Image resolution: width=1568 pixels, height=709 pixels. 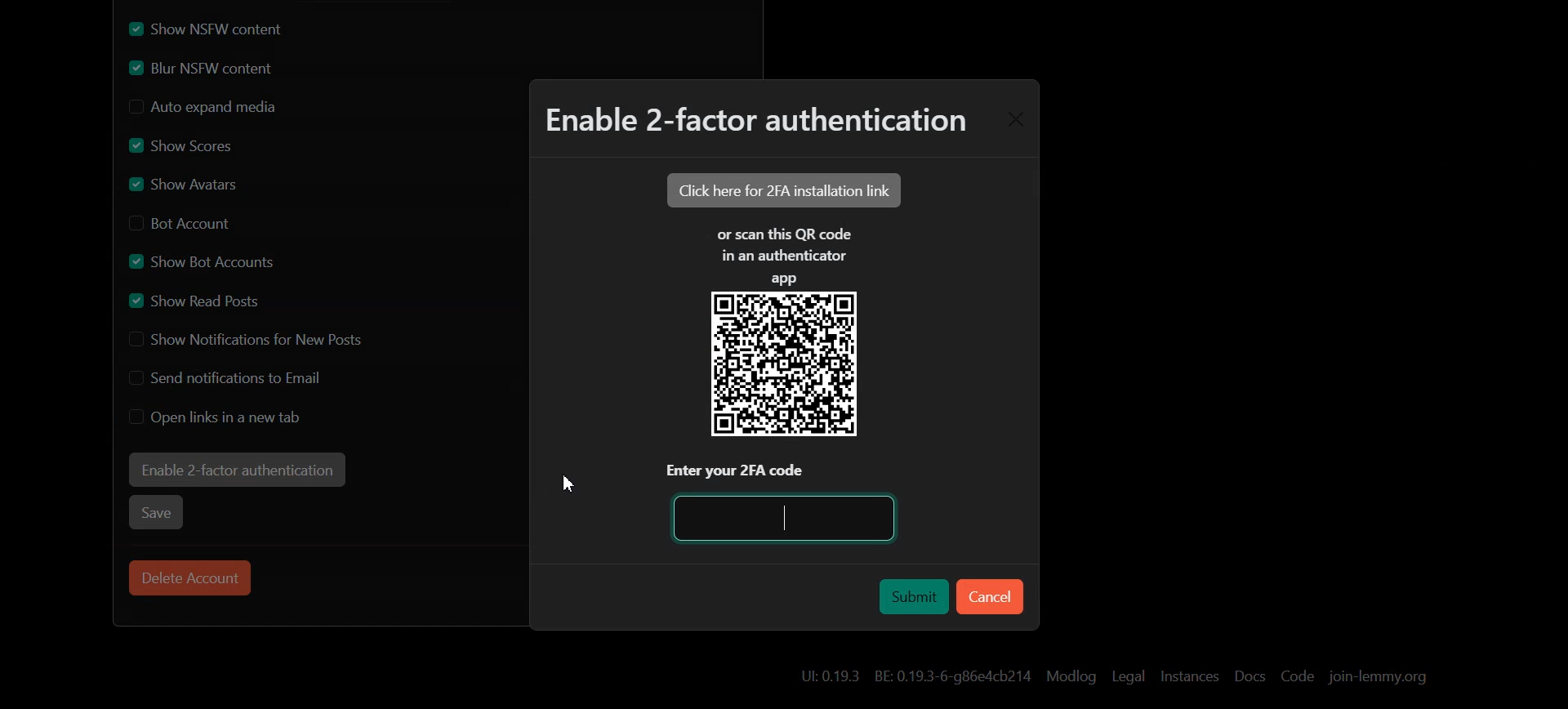 What do you see at coordinates (1129, 676) in the screenshot?
I see `Legal` at bounding box center [1129, 676].